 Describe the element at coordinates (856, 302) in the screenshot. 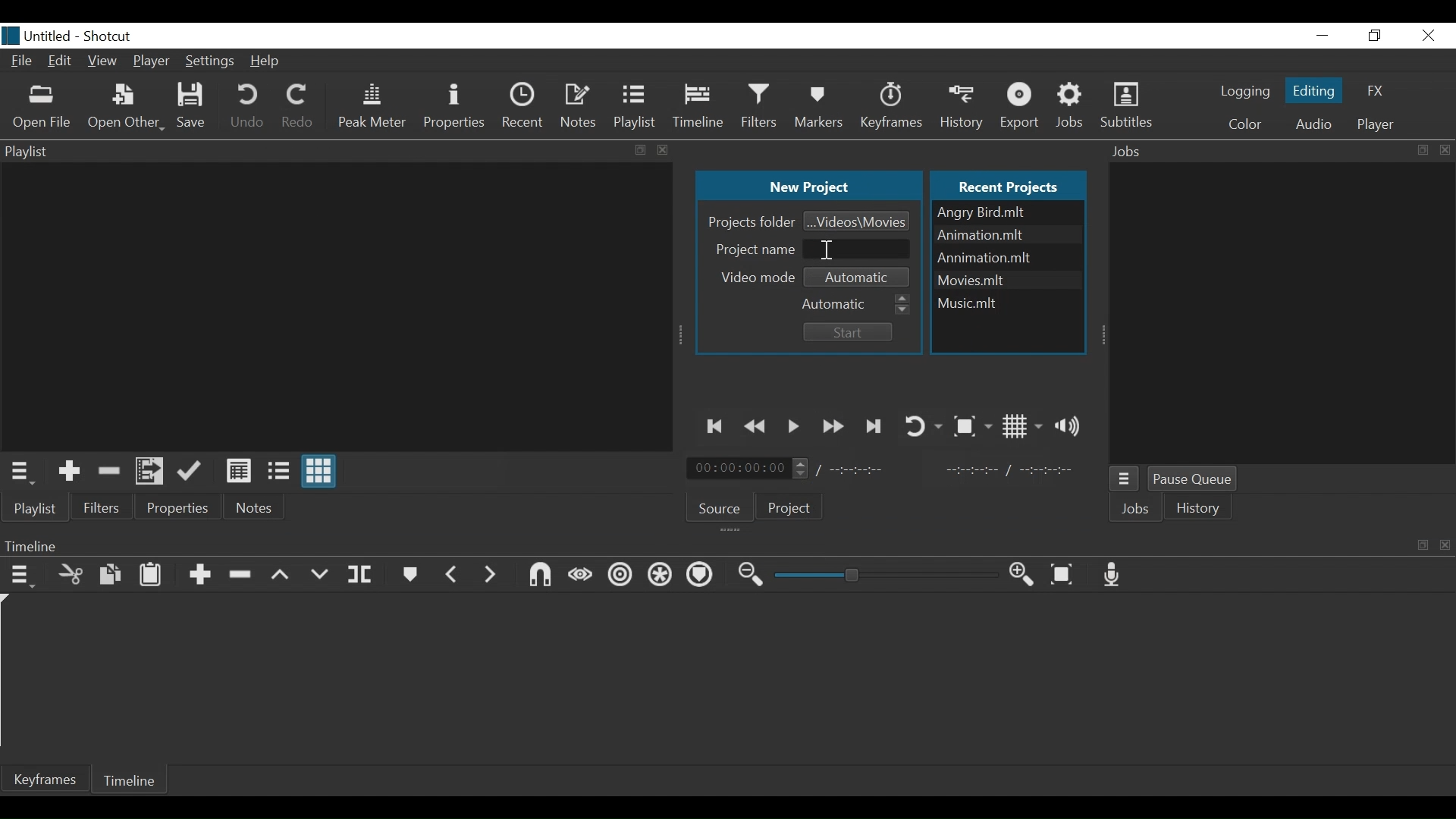

I see `Automatic` at that location.